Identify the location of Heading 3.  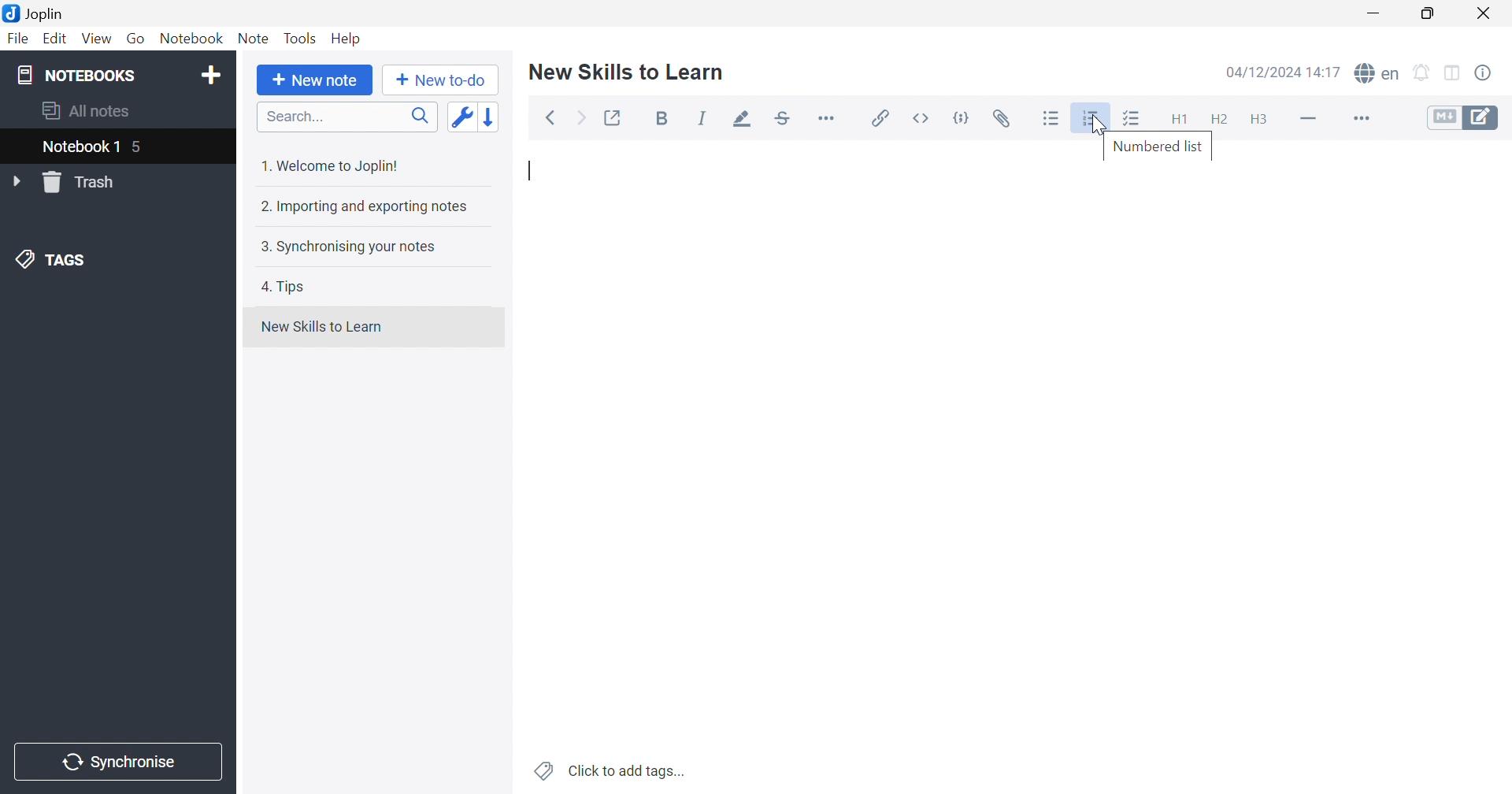
(1258, 121).